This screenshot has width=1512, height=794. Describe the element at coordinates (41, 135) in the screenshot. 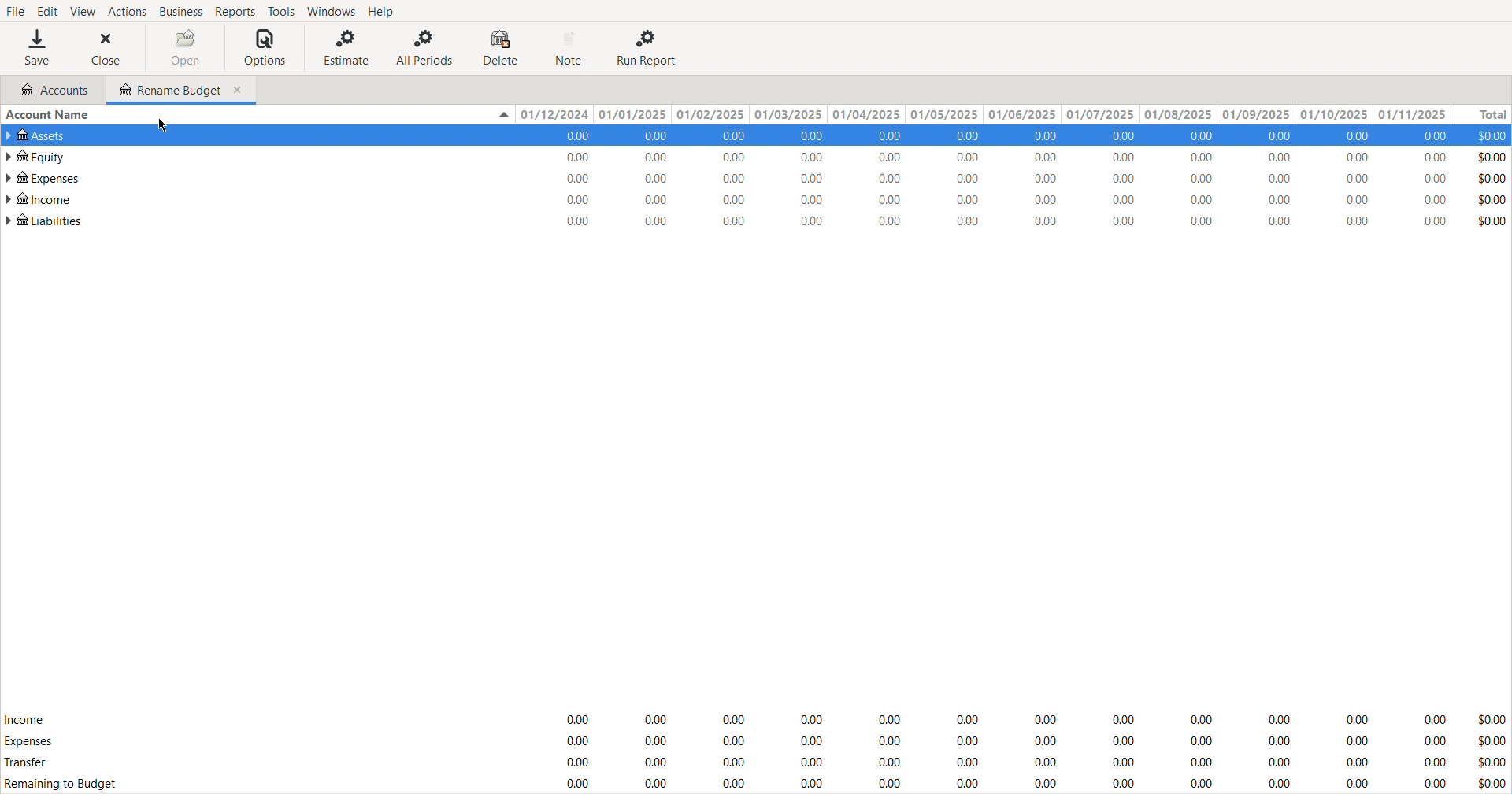

I see `Assets` at that location.